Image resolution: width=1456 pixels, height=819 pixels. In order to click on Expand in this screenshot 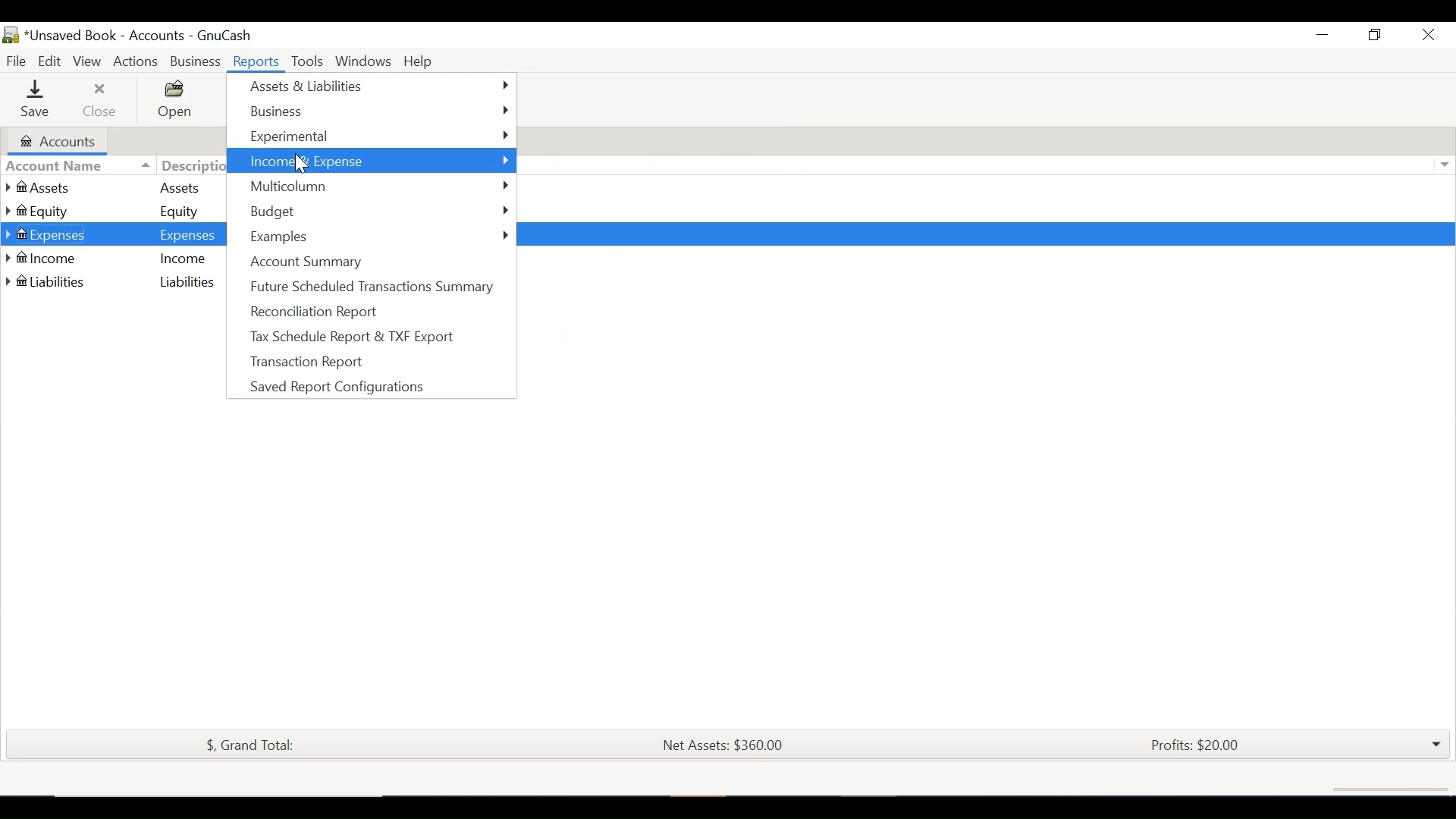, I will do `click(1442, 165)`.